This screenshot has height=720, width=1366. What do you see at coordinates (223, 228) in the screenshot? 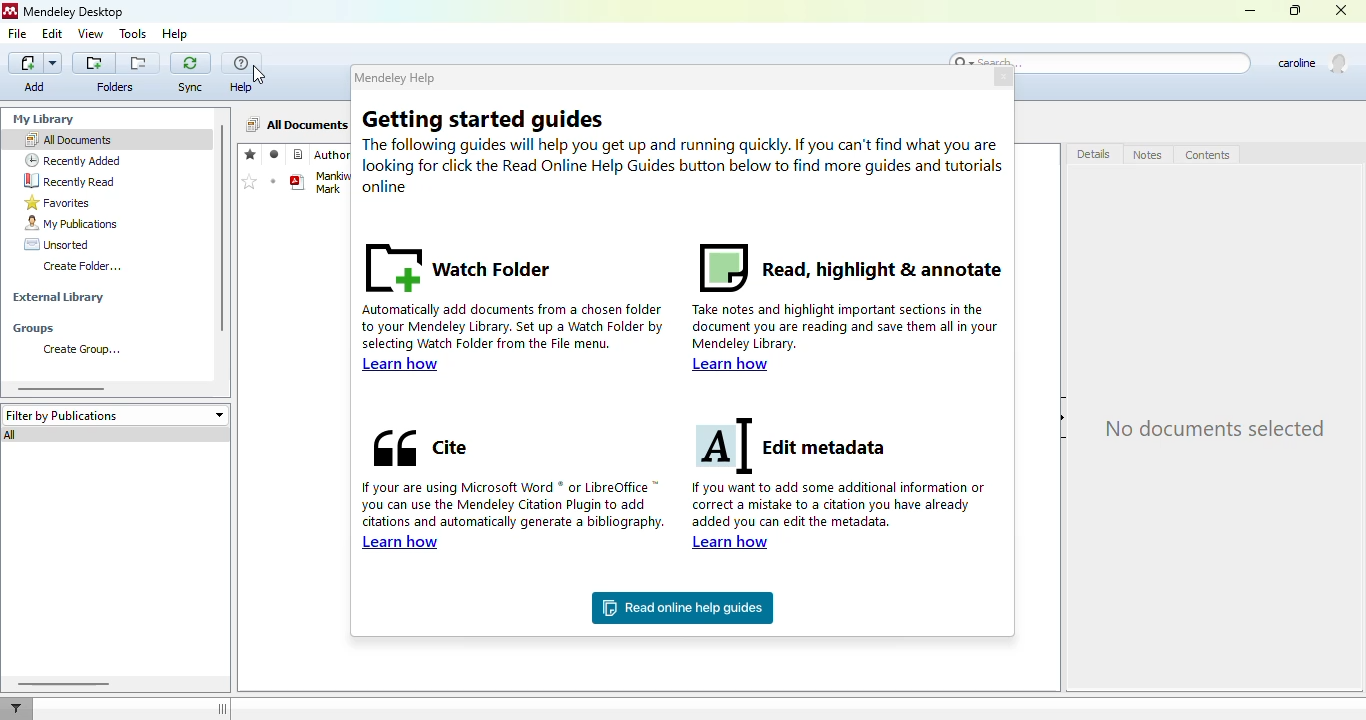
I see `vertical scroll bar` at bounding box center [223, 228].